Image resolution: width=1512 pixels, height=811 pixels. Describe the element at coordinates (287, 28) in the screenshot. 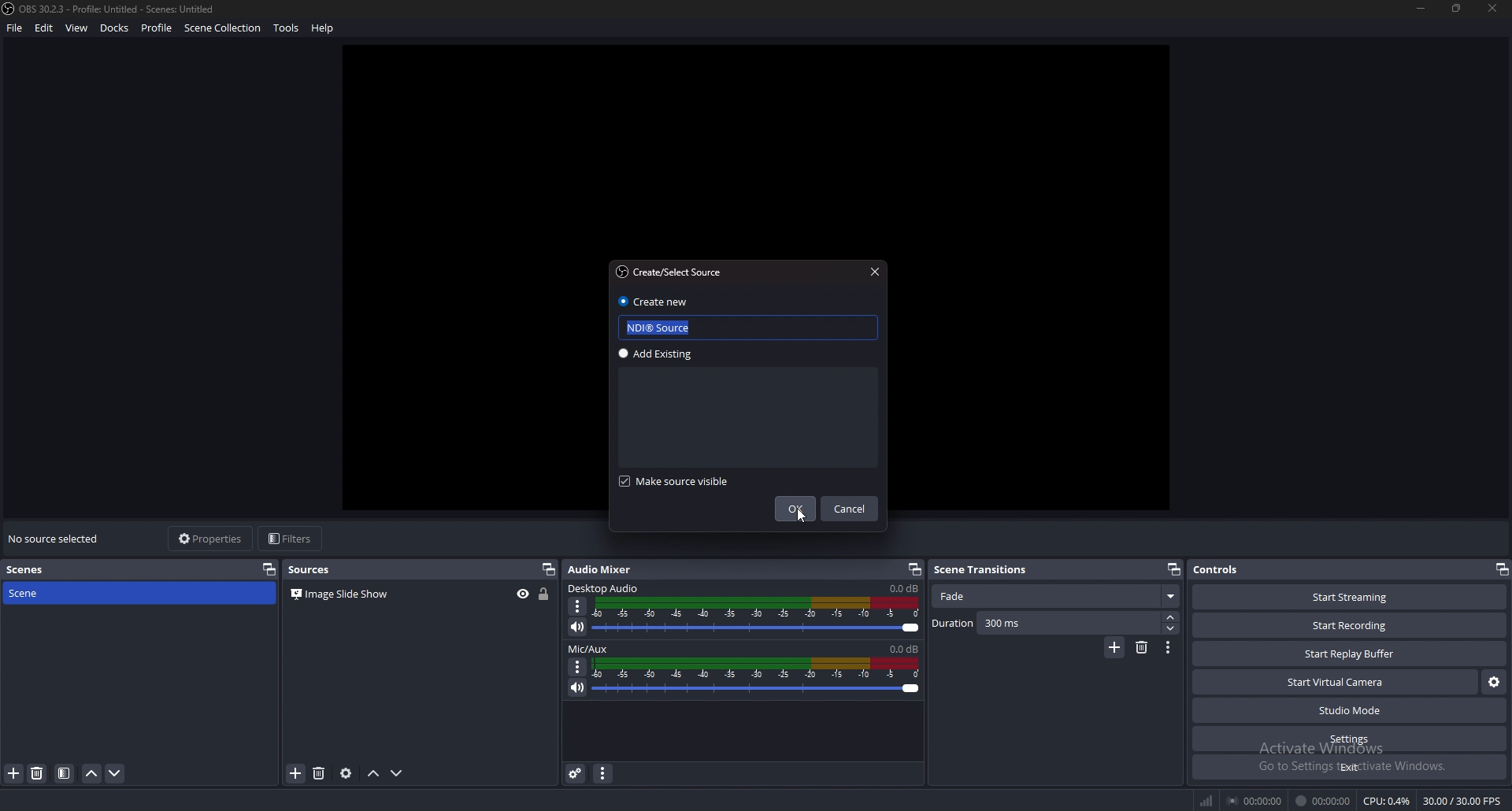

I see `tools` at that location.